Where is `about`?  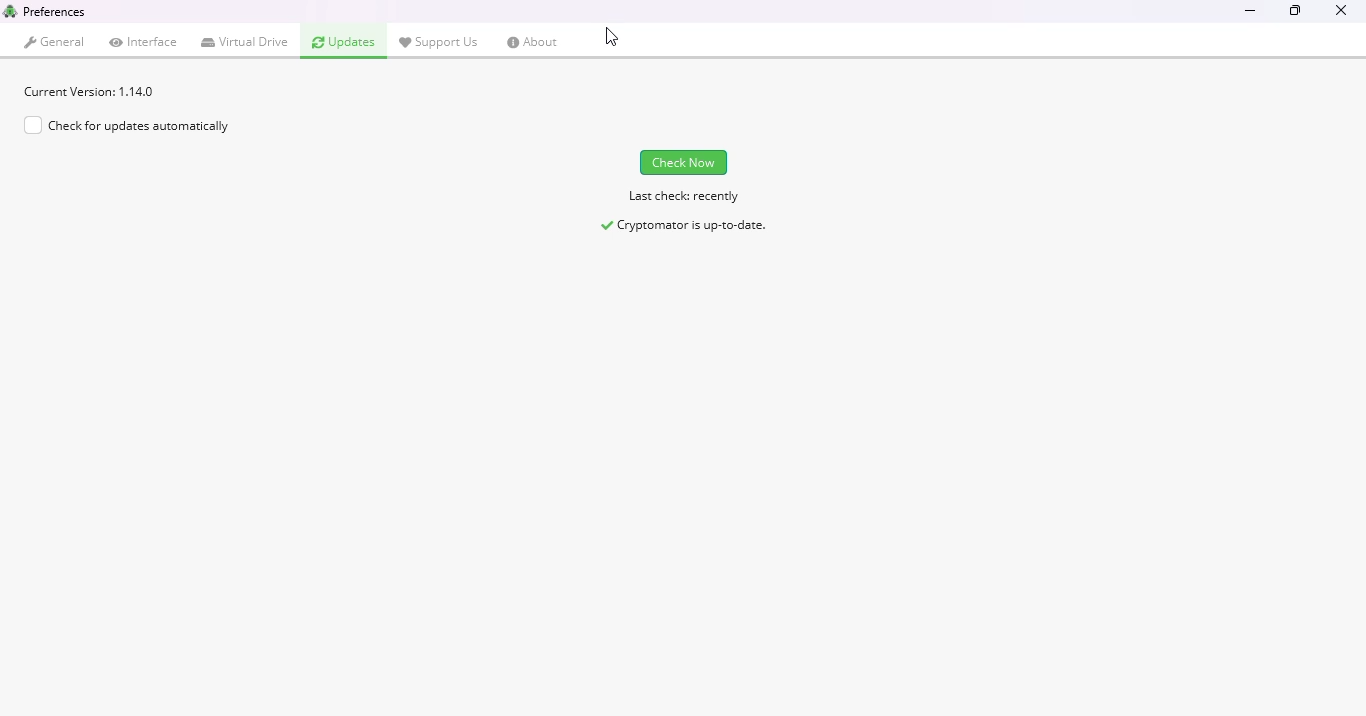 about is located at coordinates (533, 42).